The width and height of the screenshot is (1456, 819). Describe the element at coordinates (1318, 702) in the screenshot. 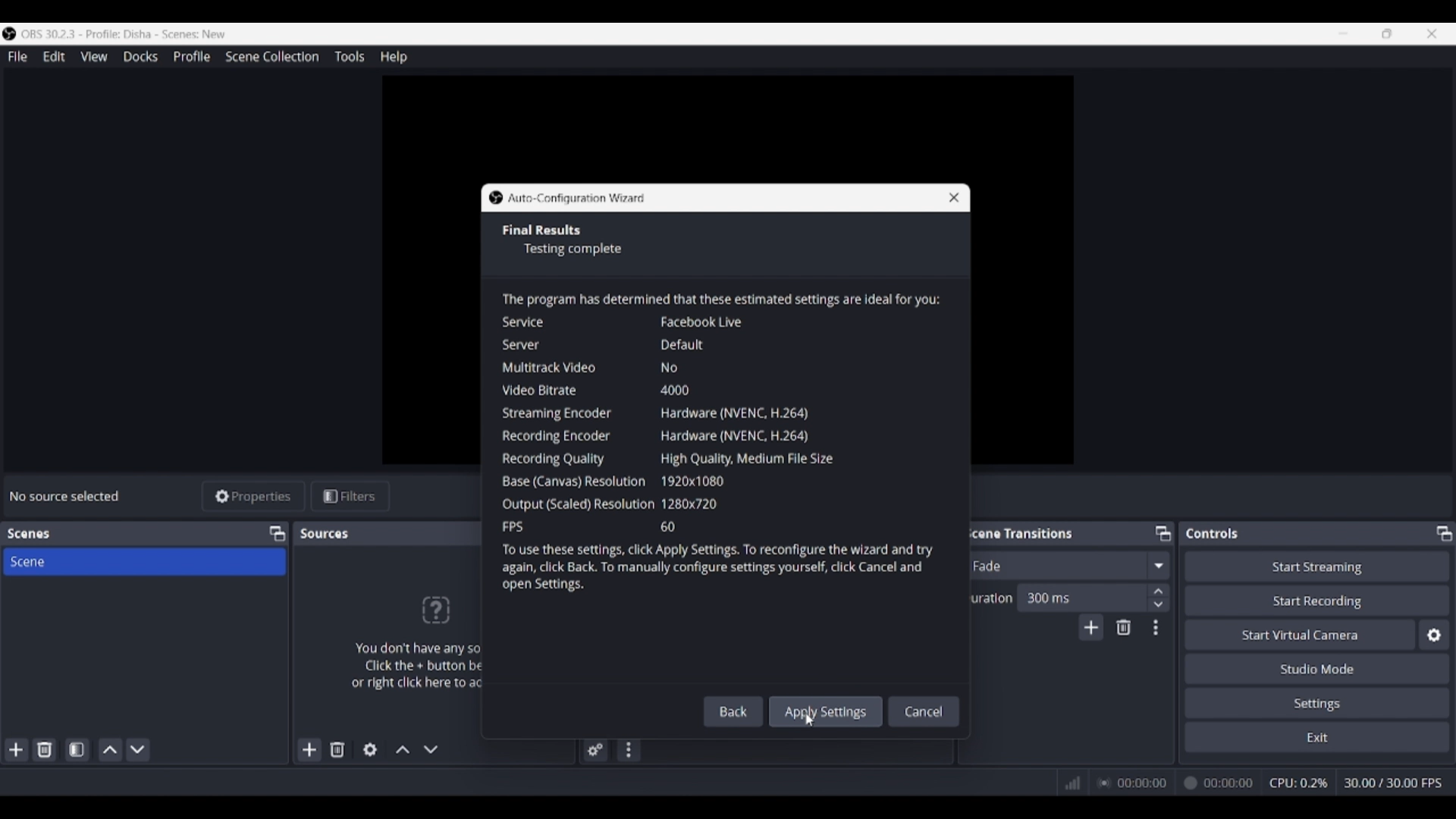

I see `Settings` at that location.